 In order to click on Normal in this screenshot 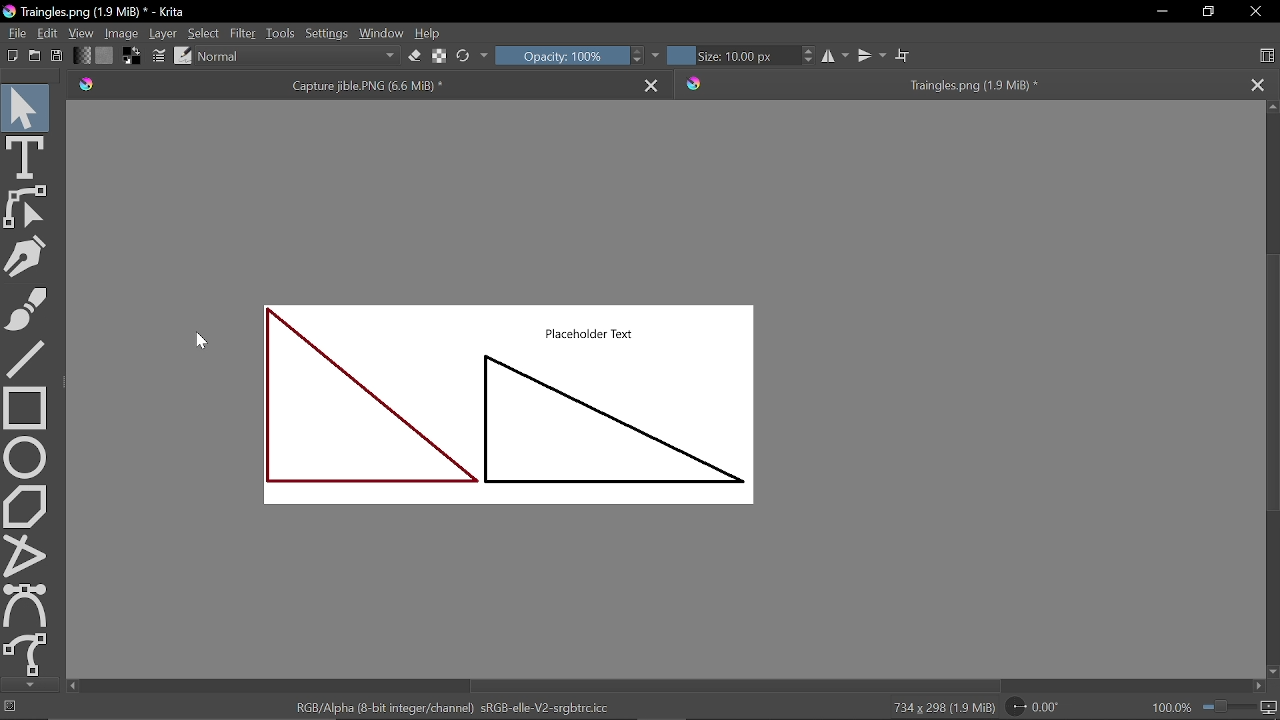, I will do `click(298, 57)`.